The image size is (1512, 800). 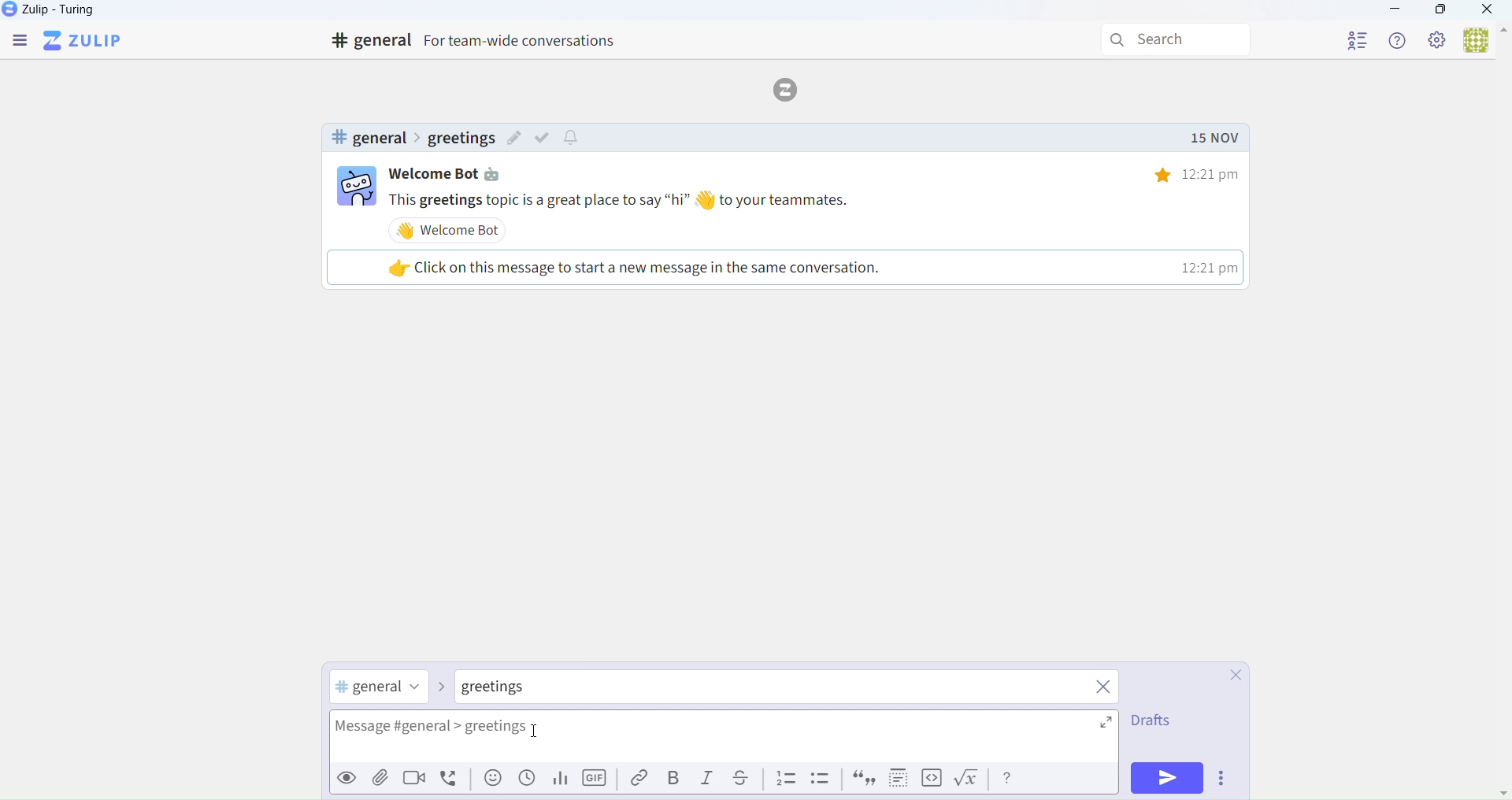 What do you see at coordinates (18, 42) in the screenshot?
I see `Menu Bar` at bounding box center [18, 42].